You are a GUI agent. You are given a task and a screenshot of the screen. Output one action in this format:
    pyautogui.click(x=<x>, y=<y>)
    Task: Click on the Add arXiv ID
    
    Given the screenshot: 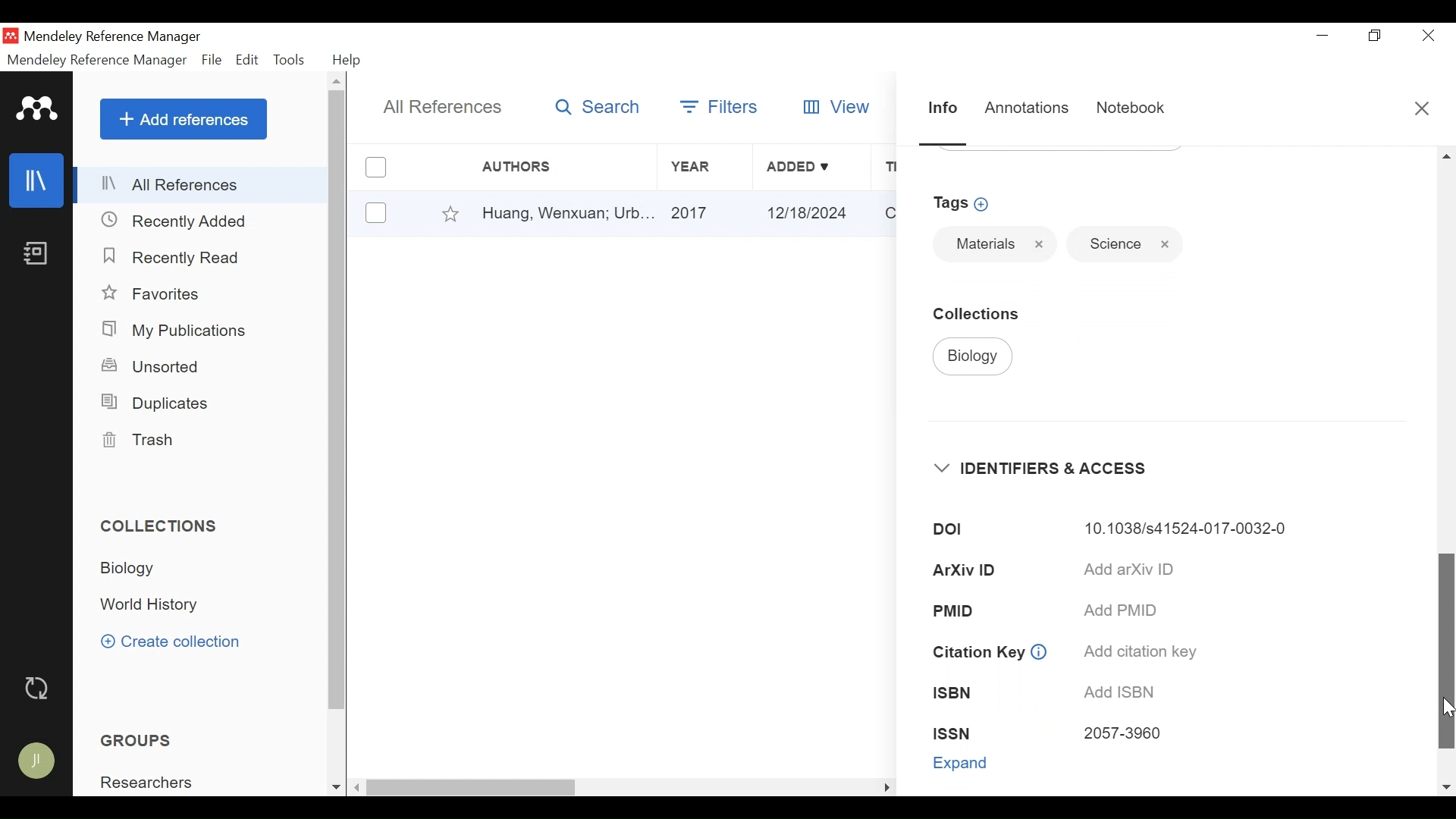 What is the action you would take?
    pyautogui.click(x=1130, y=569)
    